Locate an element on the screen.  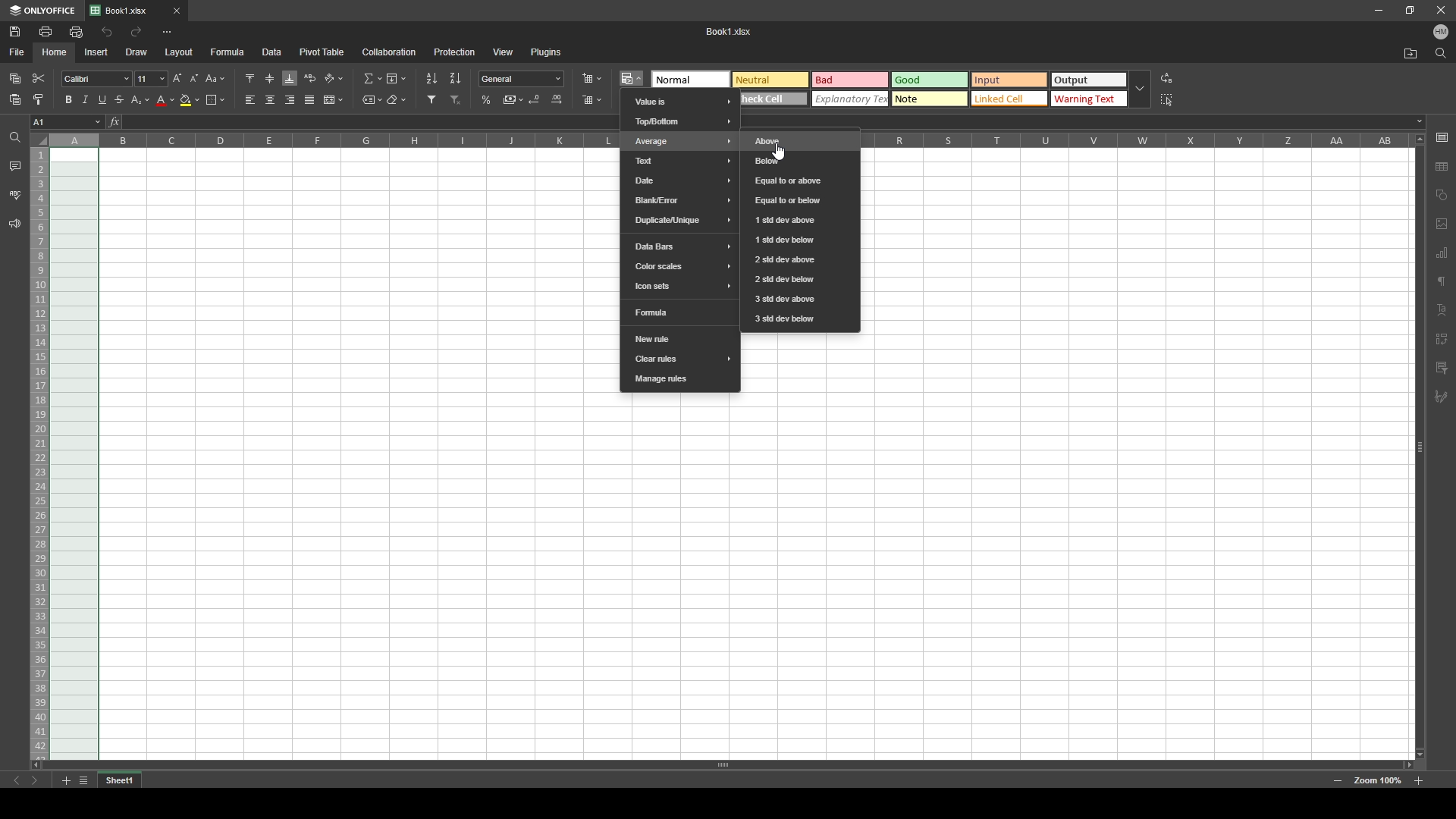
subscript is located at coordinates (141, 99).